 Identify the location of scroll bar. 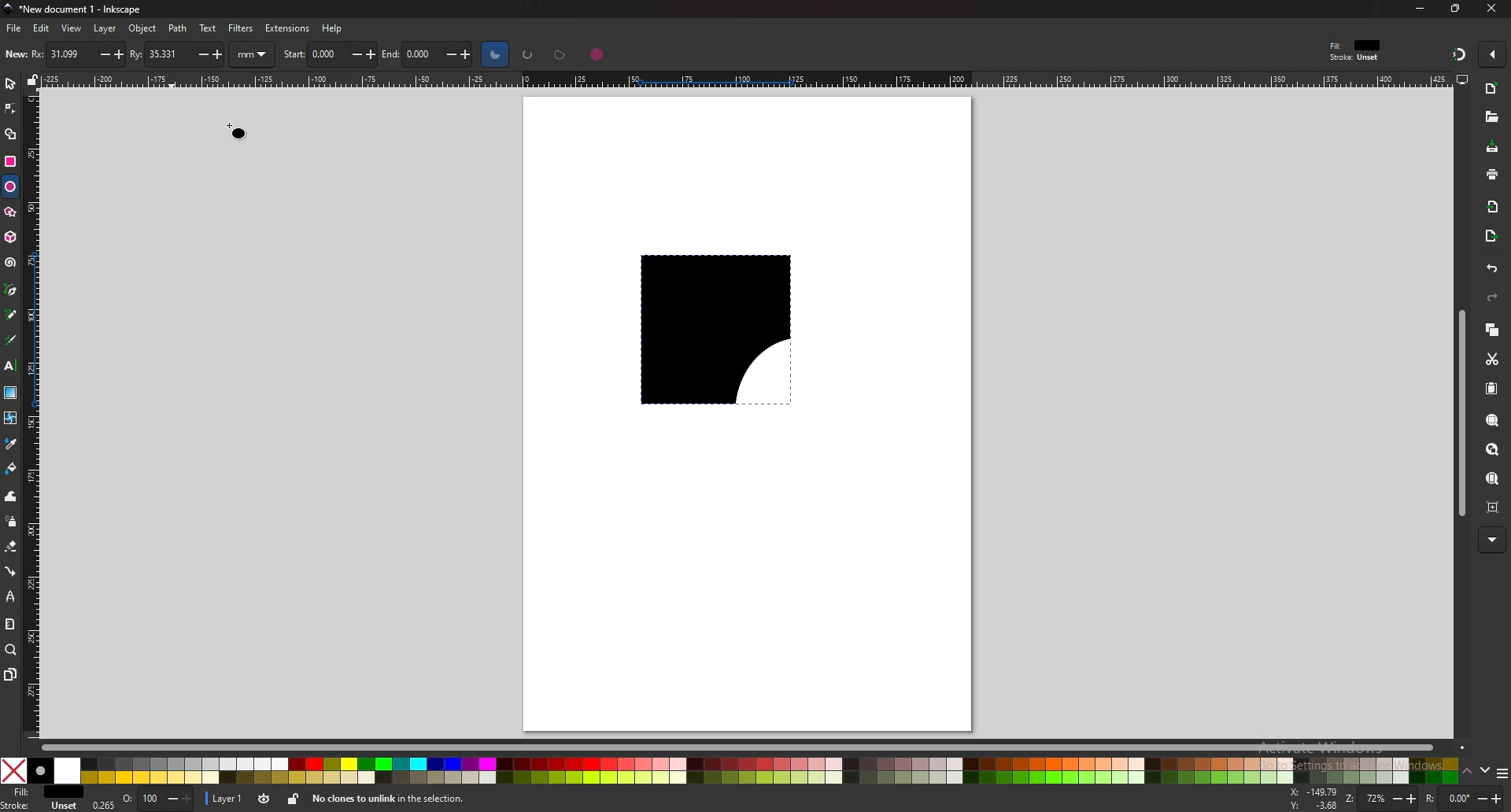
(1459, 412).